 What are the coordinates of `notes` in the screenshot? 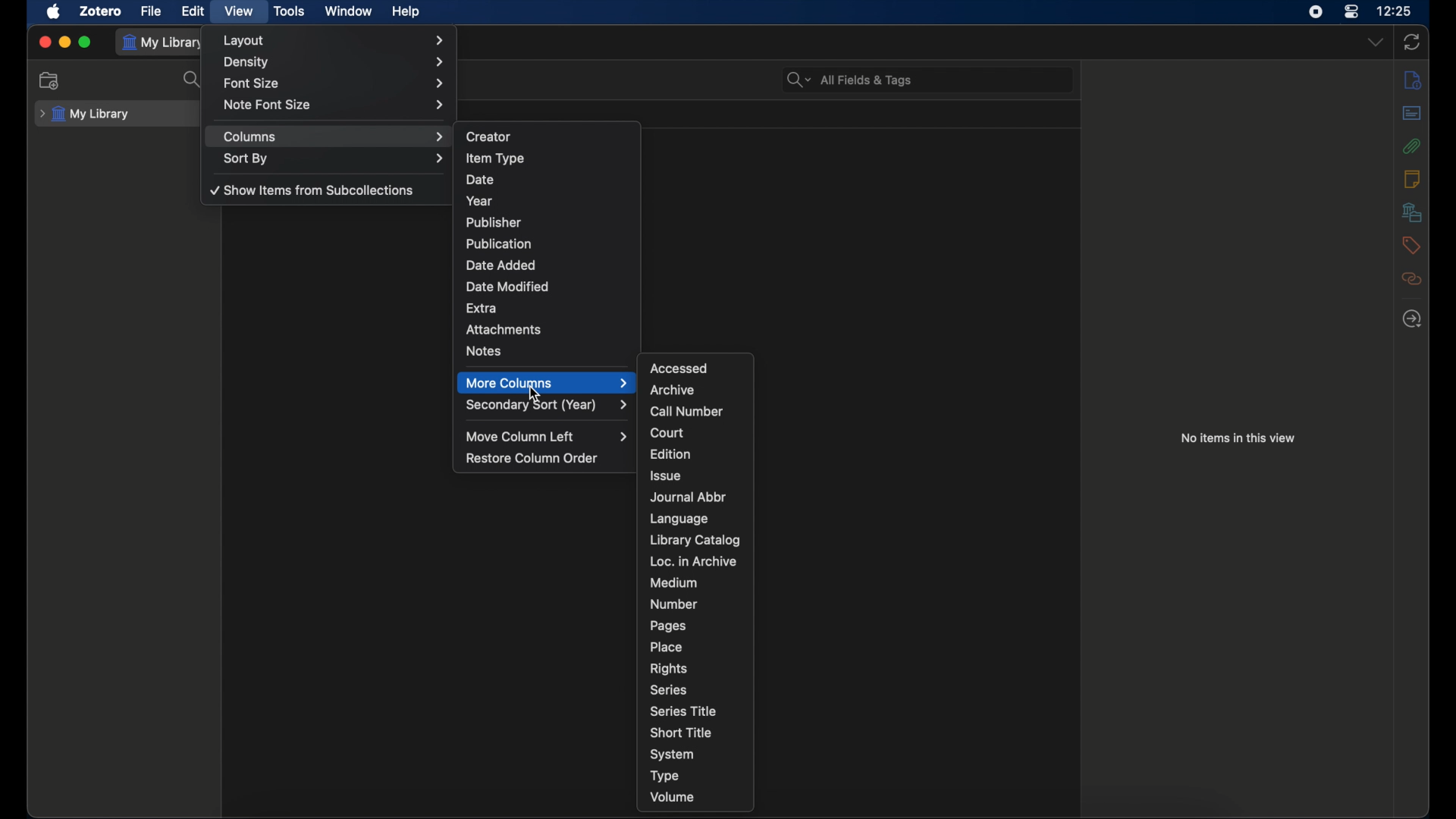 It's located at (485, 350).